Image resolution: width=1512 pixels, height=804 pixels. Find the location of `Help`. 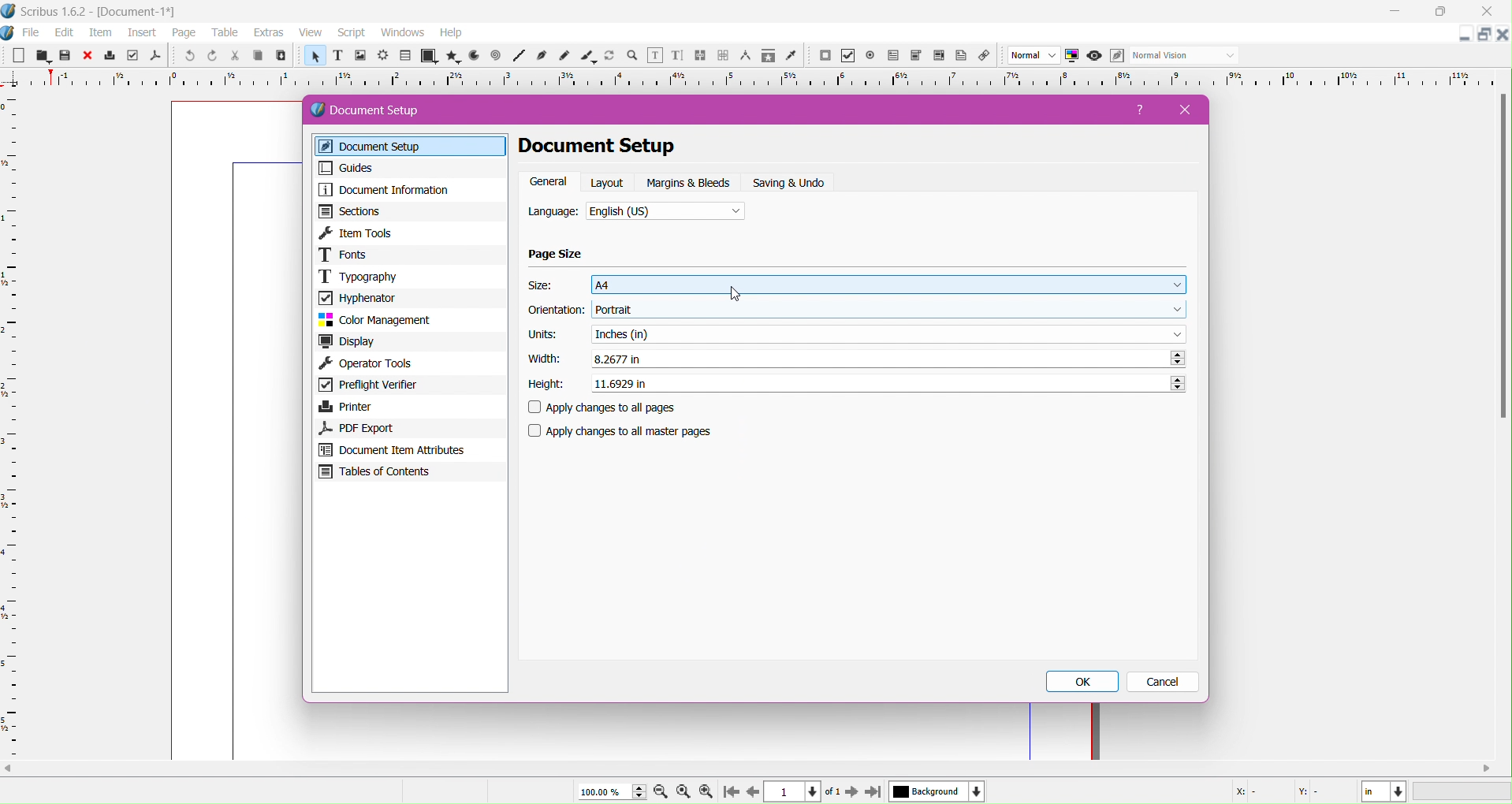

Help is located at coordinates (1142, 113).